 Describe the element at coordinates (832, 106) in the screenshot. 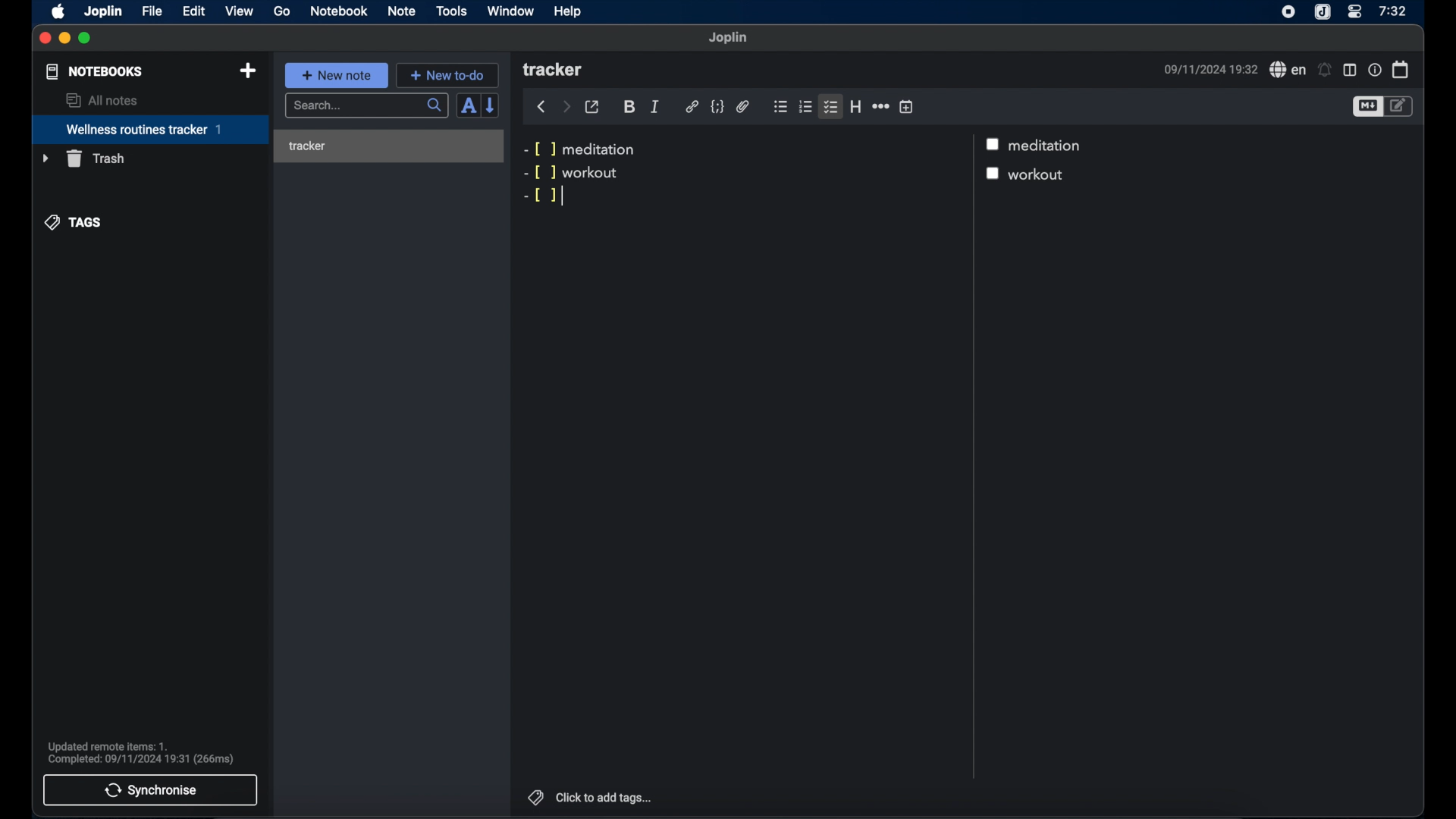

I see `checklist` at that location.